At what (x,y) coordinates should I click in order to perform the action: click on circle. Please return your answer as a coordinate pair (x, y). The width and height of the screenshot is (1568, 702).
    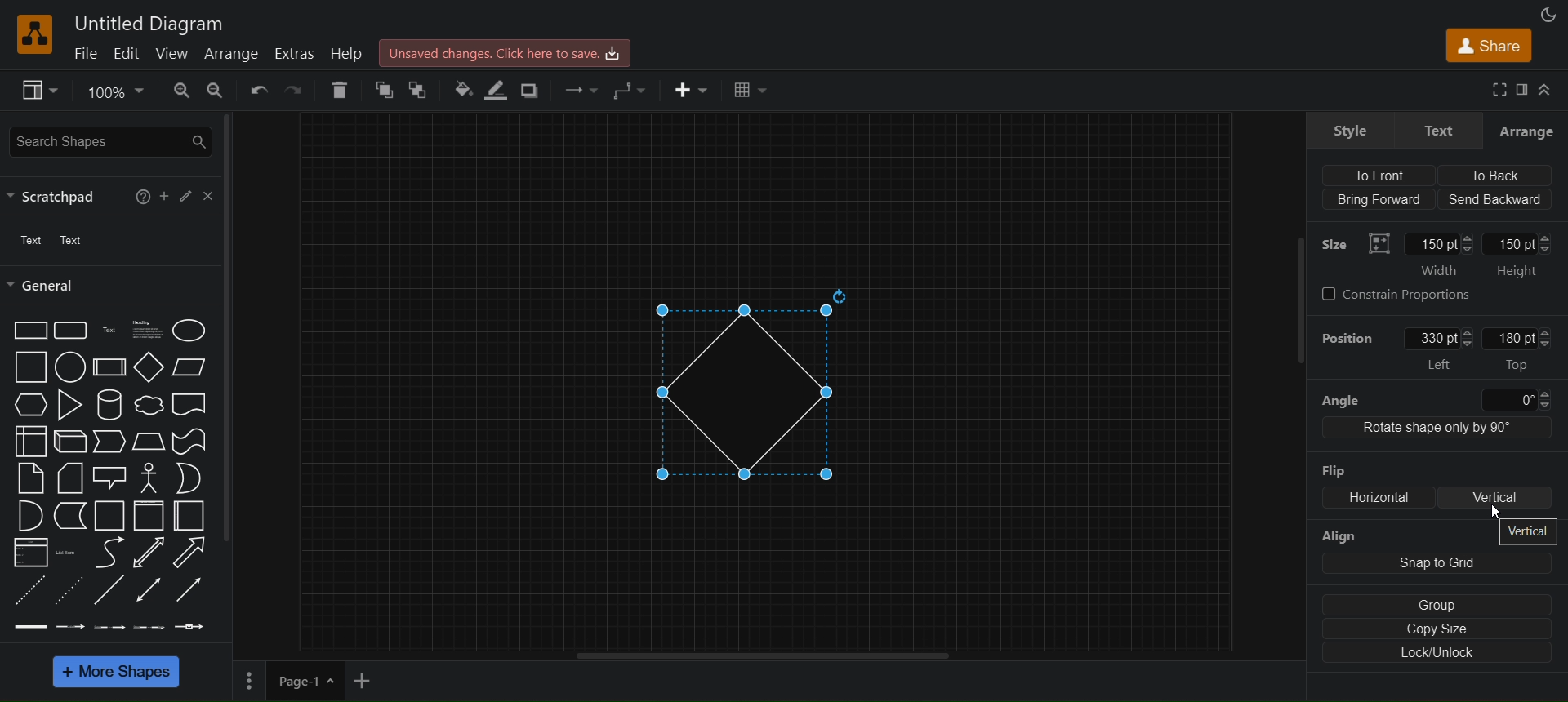
    Looking at the image, I should click on (68, 366).